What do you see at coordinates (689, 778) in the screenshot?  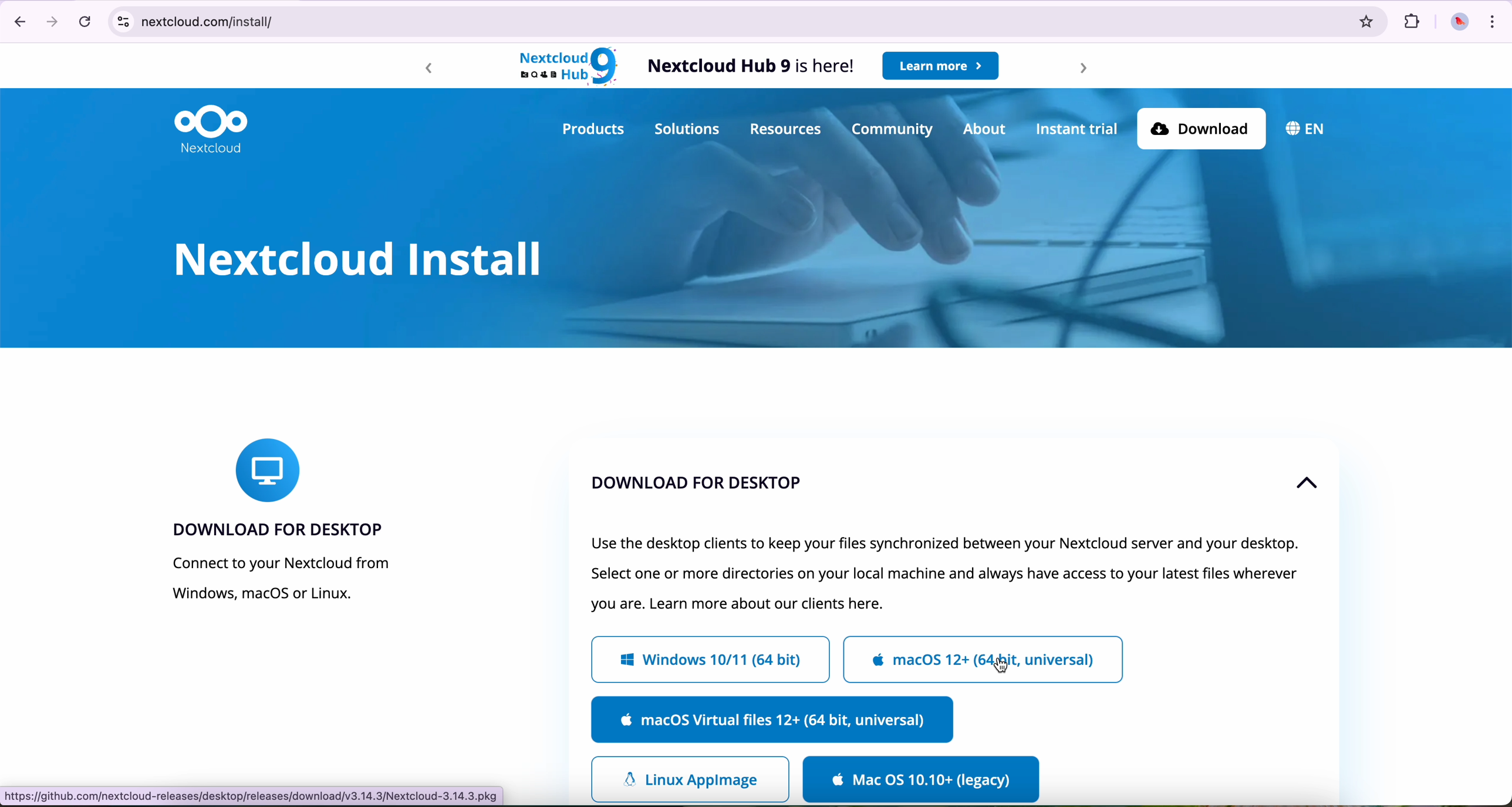 I see `Linux app image` at bounding box center [689, 778].